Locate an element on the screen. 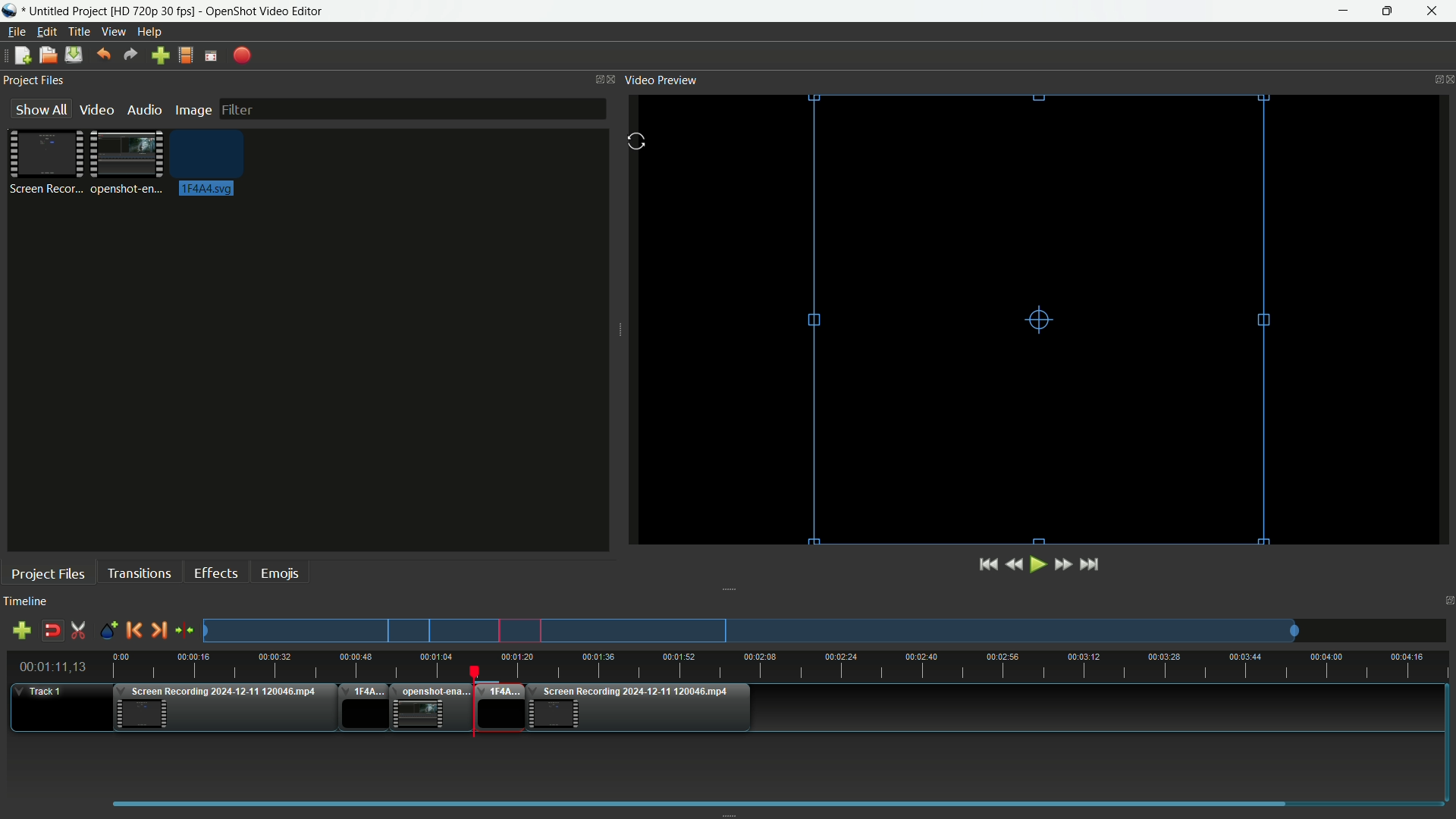 The width and height of the screenshot is (1456, 819). Video two in timeline is located at coordinates (433, 708).